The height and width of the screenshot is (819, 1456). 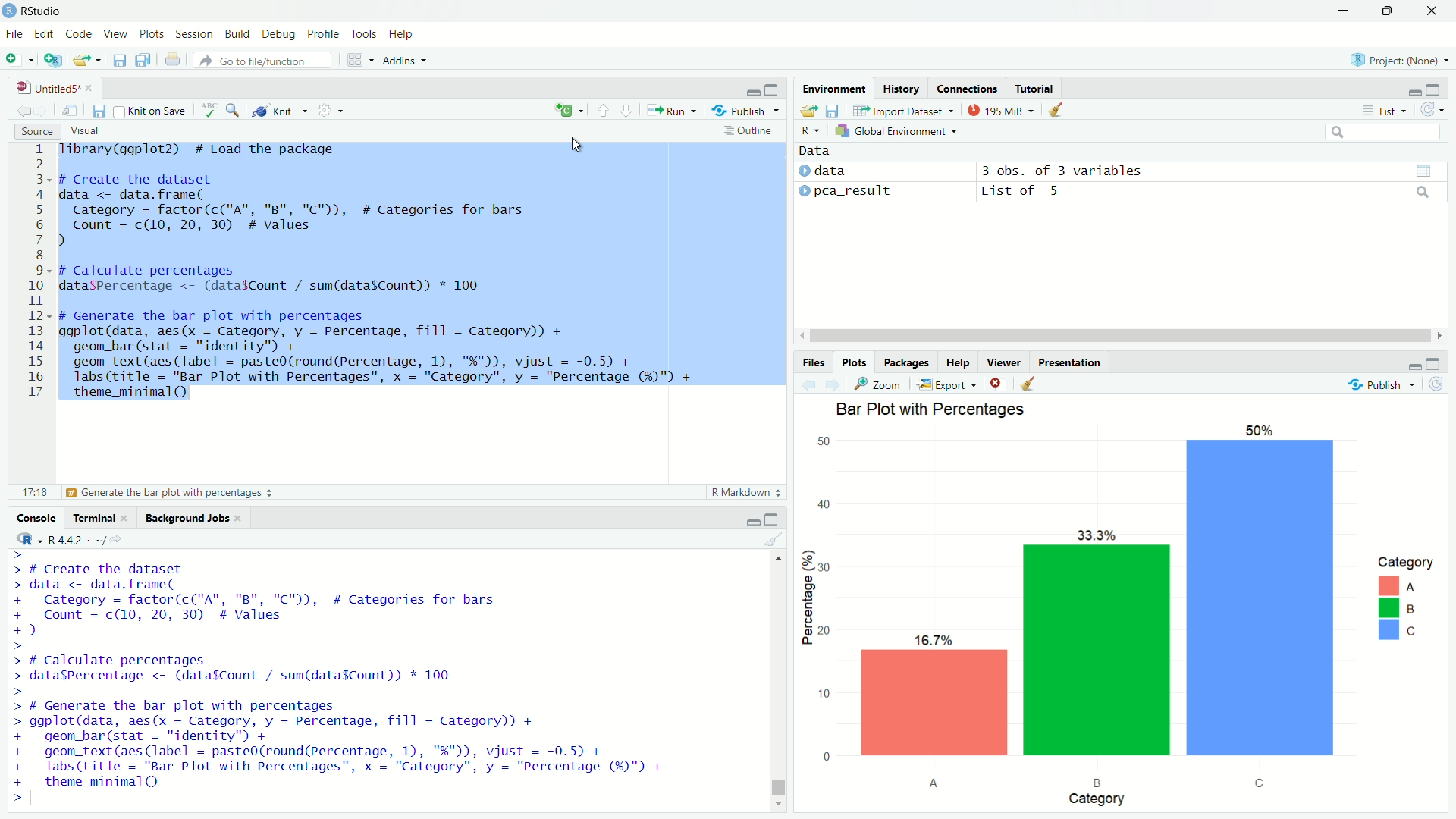 I want to click on list of 5, so click(x=1209, y=191).